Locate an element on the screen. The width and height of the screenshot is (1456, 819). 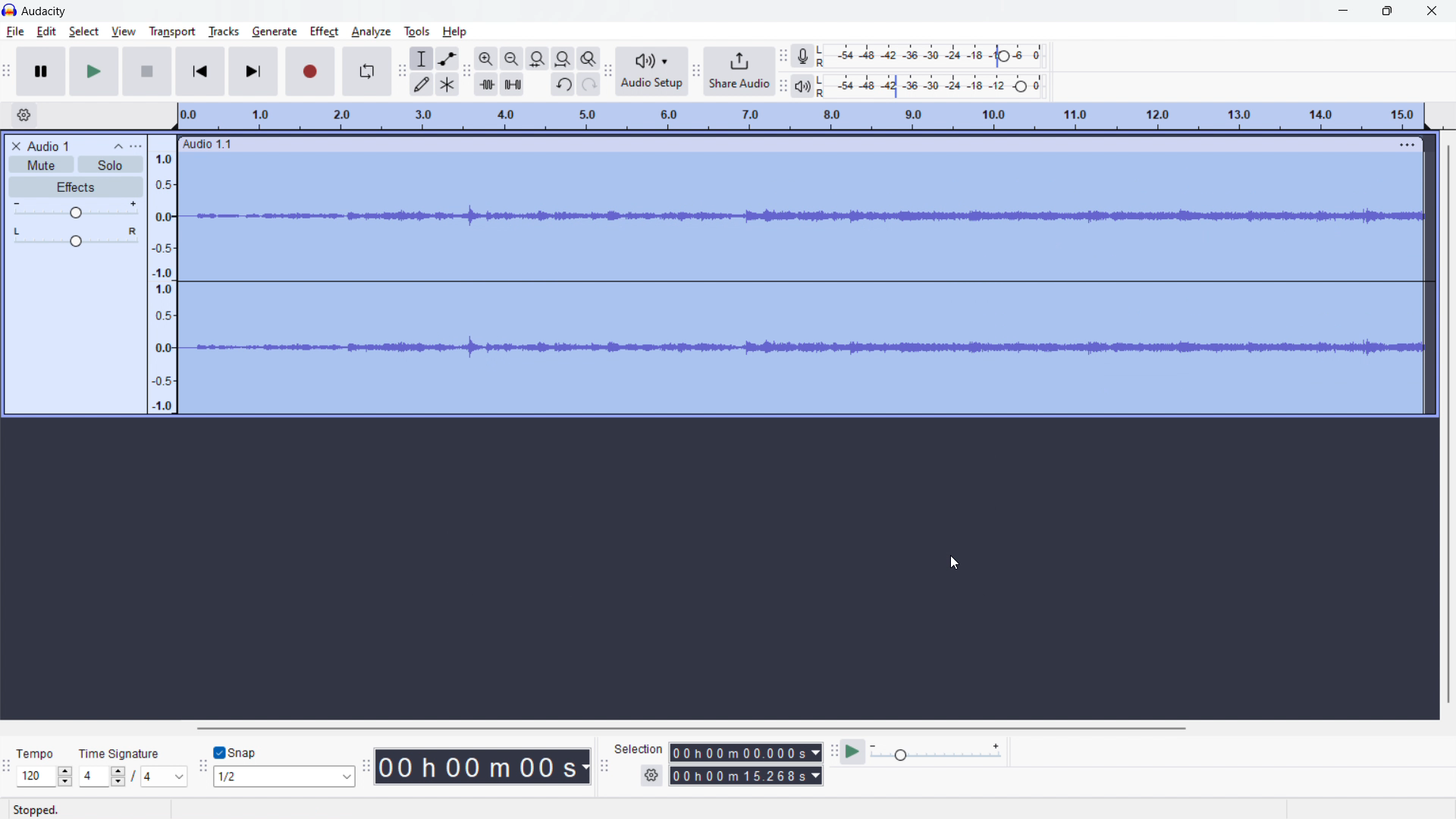
tracks is located at coordinates (223, 32).